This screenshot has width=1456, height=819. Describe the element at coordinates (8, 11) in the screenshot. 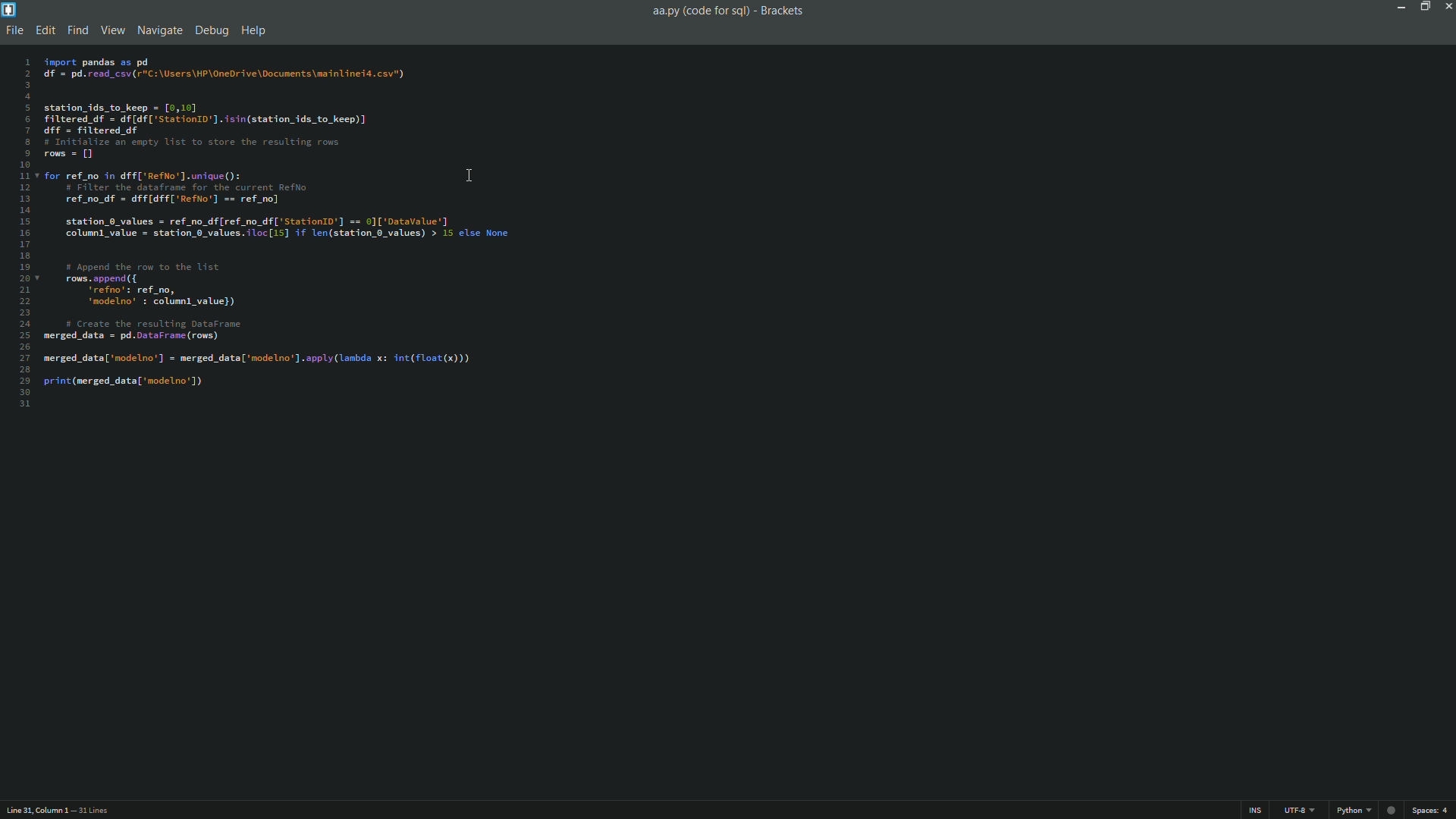

I see `app icon` at that location.